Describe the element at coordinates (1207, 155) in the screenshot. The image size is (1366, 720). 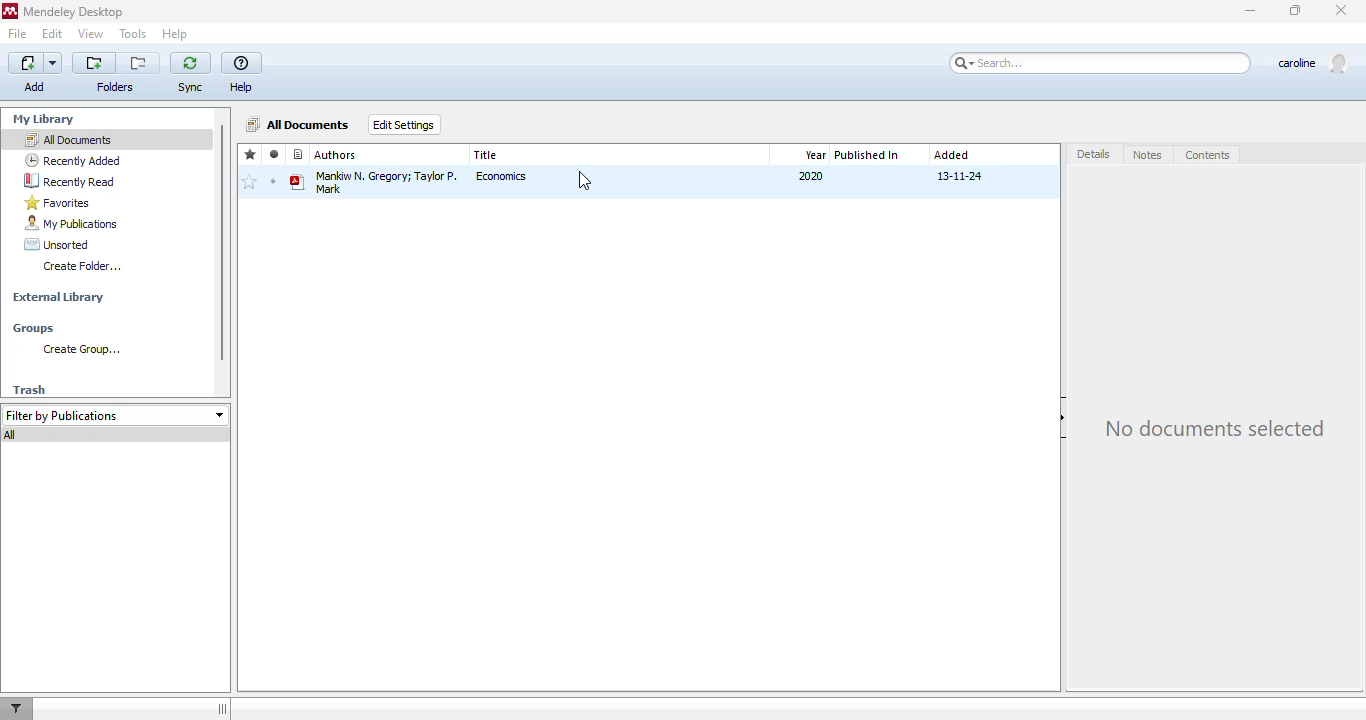
I see `contents` at that location.